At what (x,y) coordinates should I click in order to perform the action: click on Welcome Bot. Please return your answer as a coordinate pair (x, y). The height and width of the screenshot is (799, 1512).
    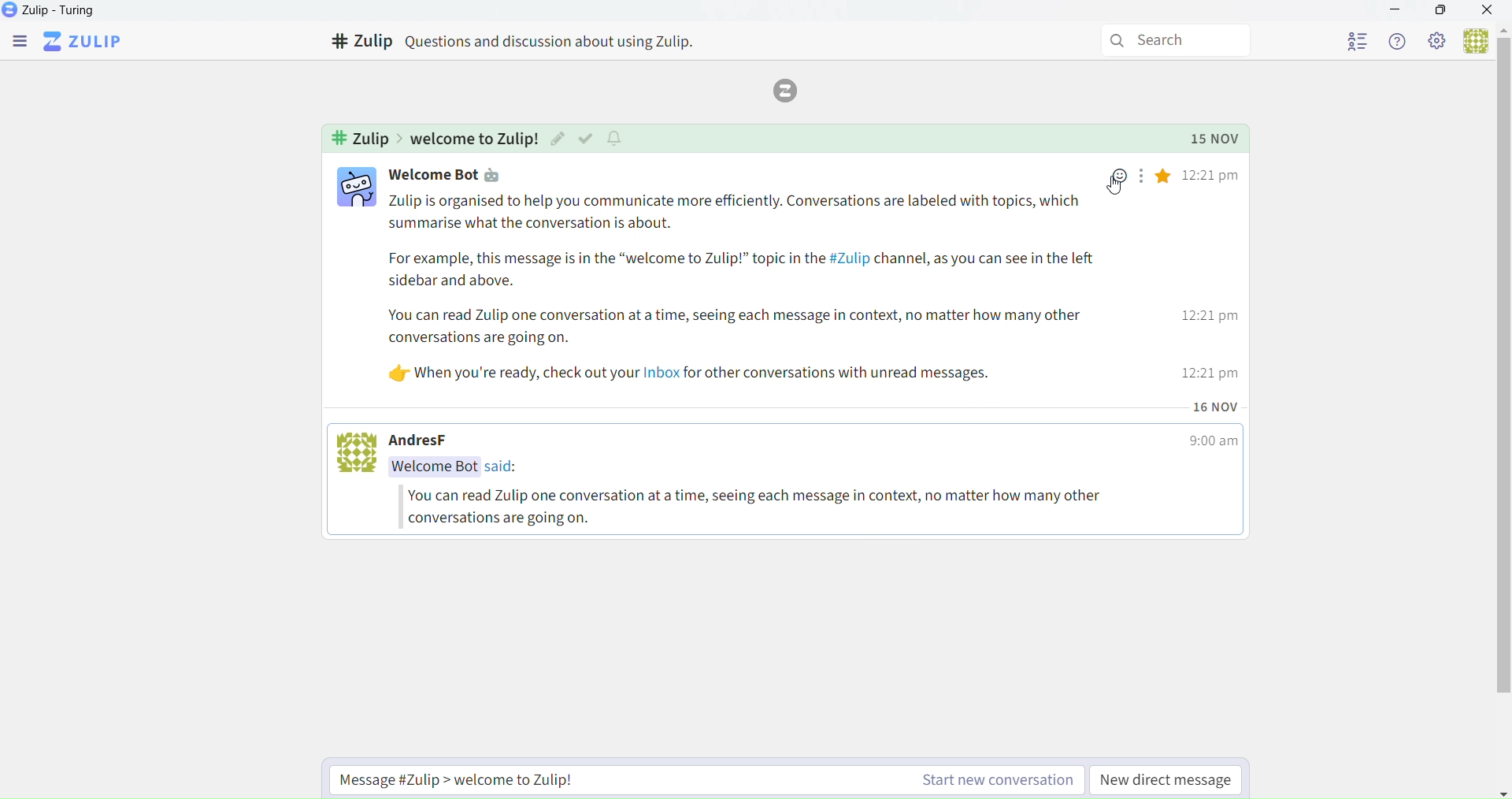
    Looking at the image, I should click on (430, 174).